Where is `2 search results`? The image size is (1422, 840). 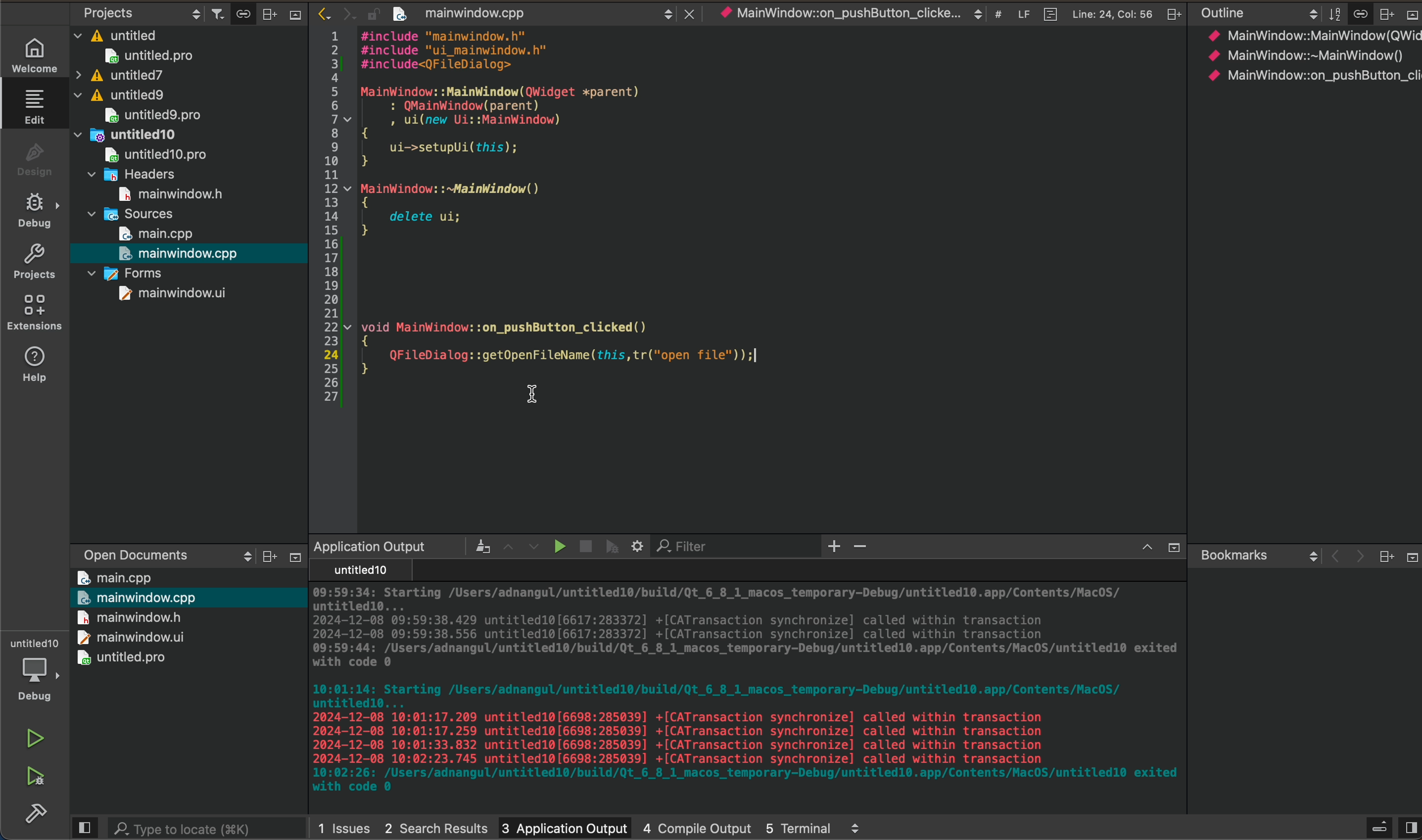 2 search results is located at coordinates (435, 824).